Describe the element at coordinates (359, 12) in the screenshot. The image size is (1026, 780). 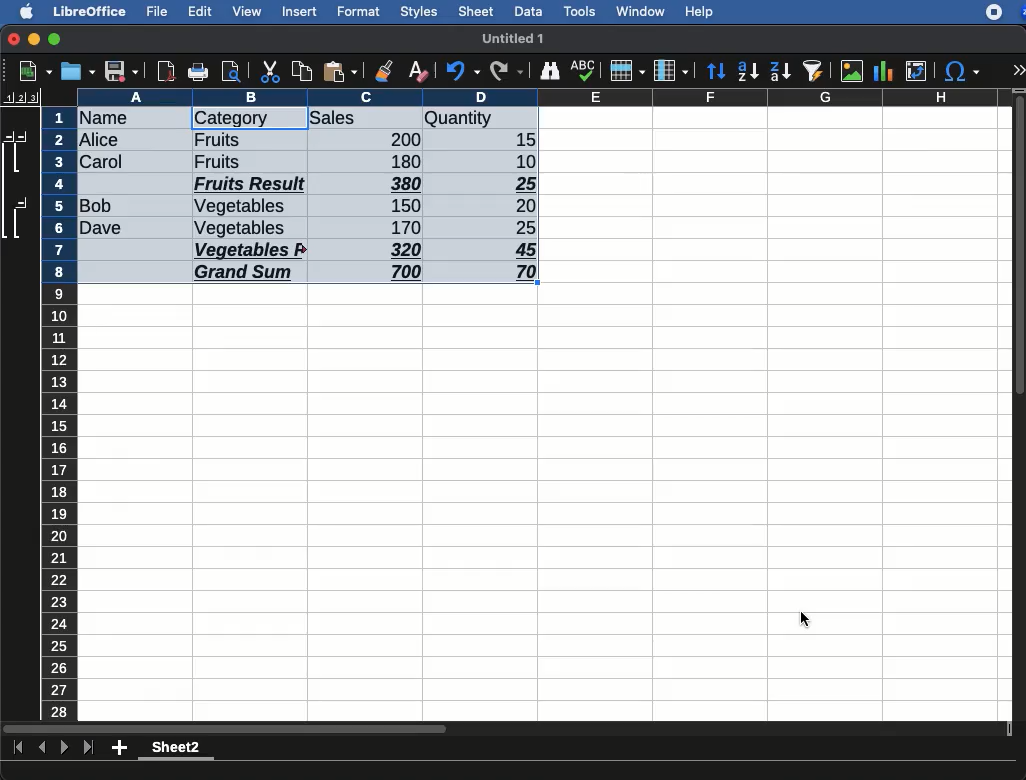
I see `format` at that location.